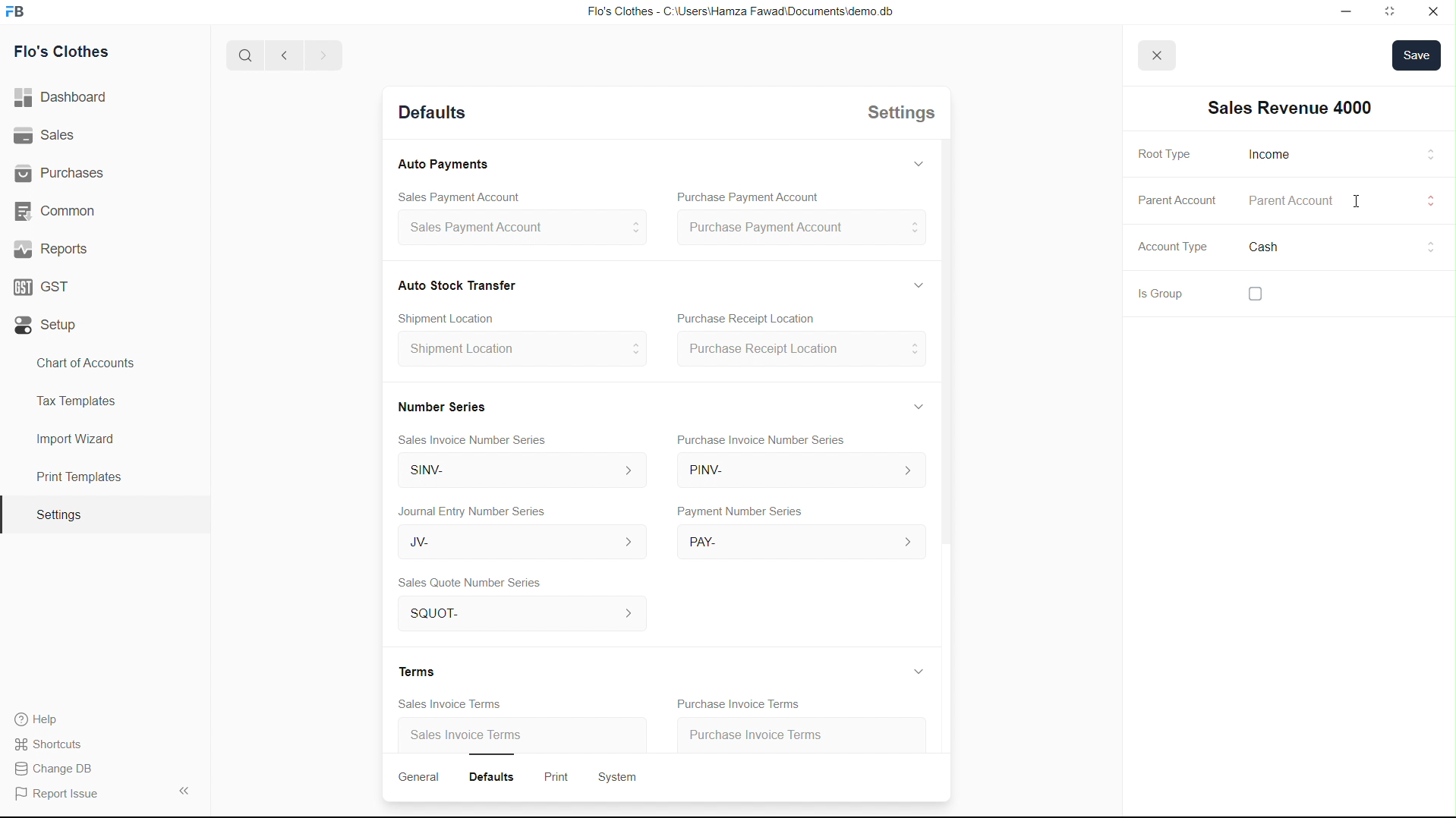 This screenshot has width=1456, height=818. I want to click on Parent Account, so click(1304, 202).